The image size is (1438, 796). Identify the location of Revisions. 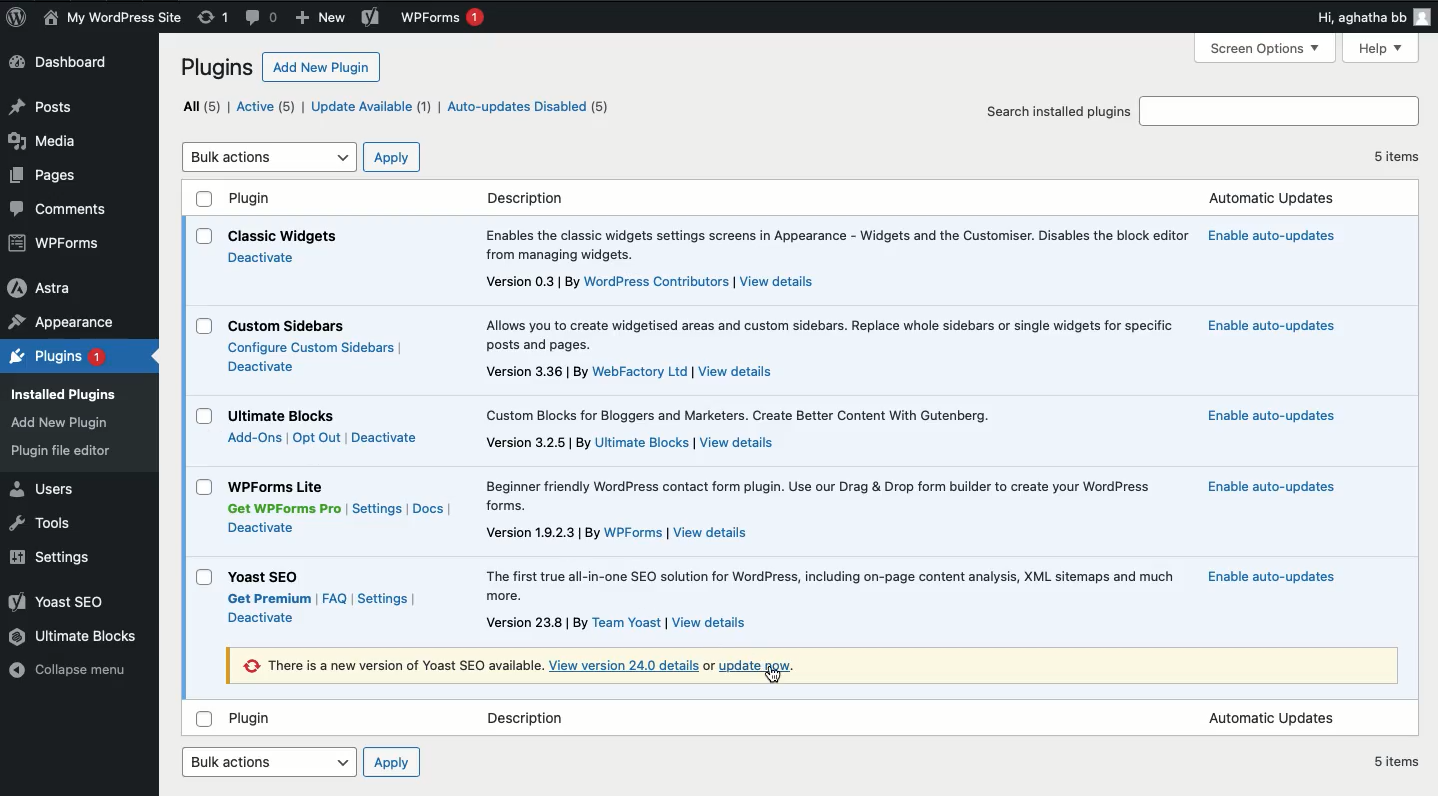
(211, 18).